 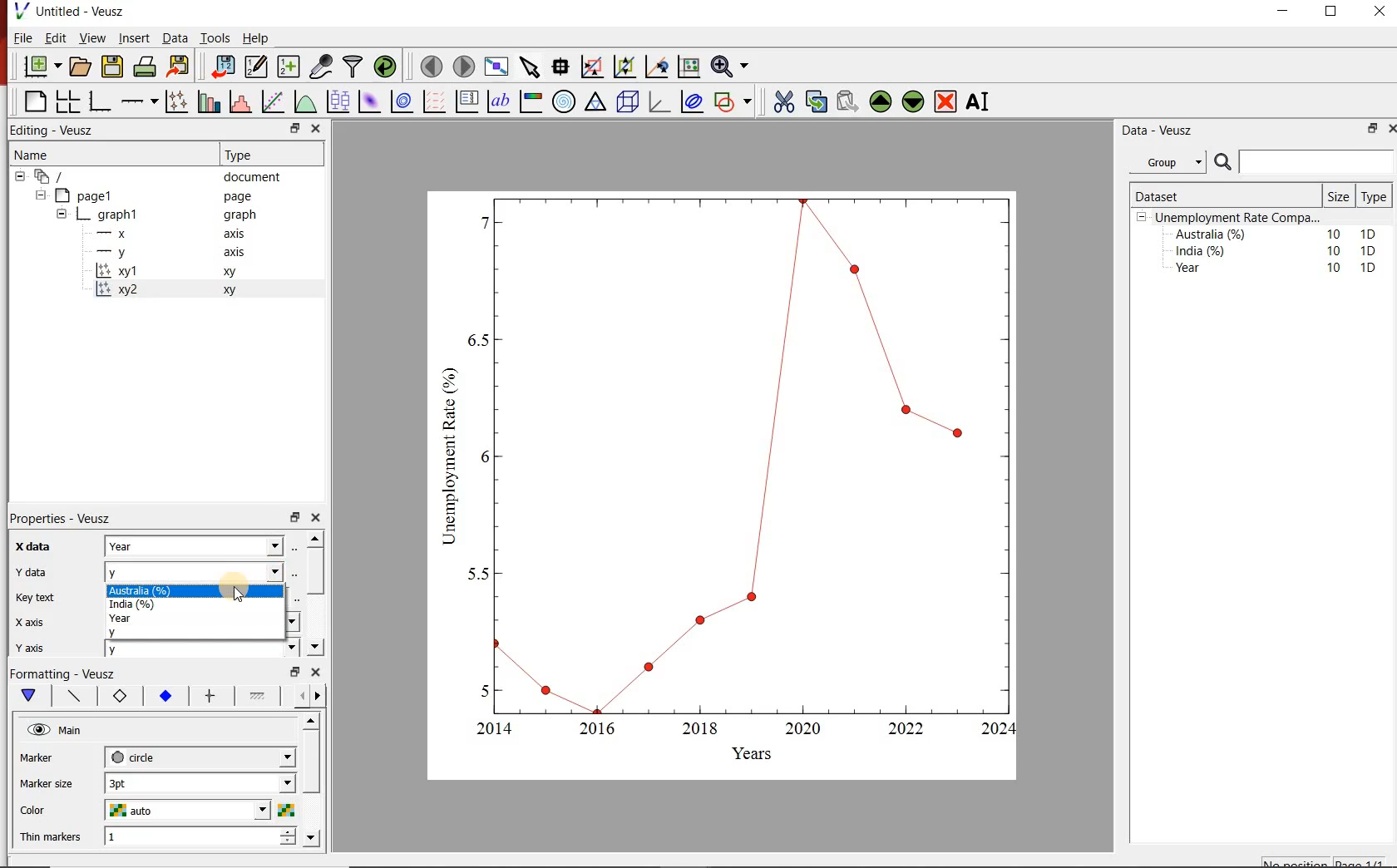 What do you see at coordinates (815, 101) in the screenshot?
I see `copy the widgets` at bounding box center [815, 101].